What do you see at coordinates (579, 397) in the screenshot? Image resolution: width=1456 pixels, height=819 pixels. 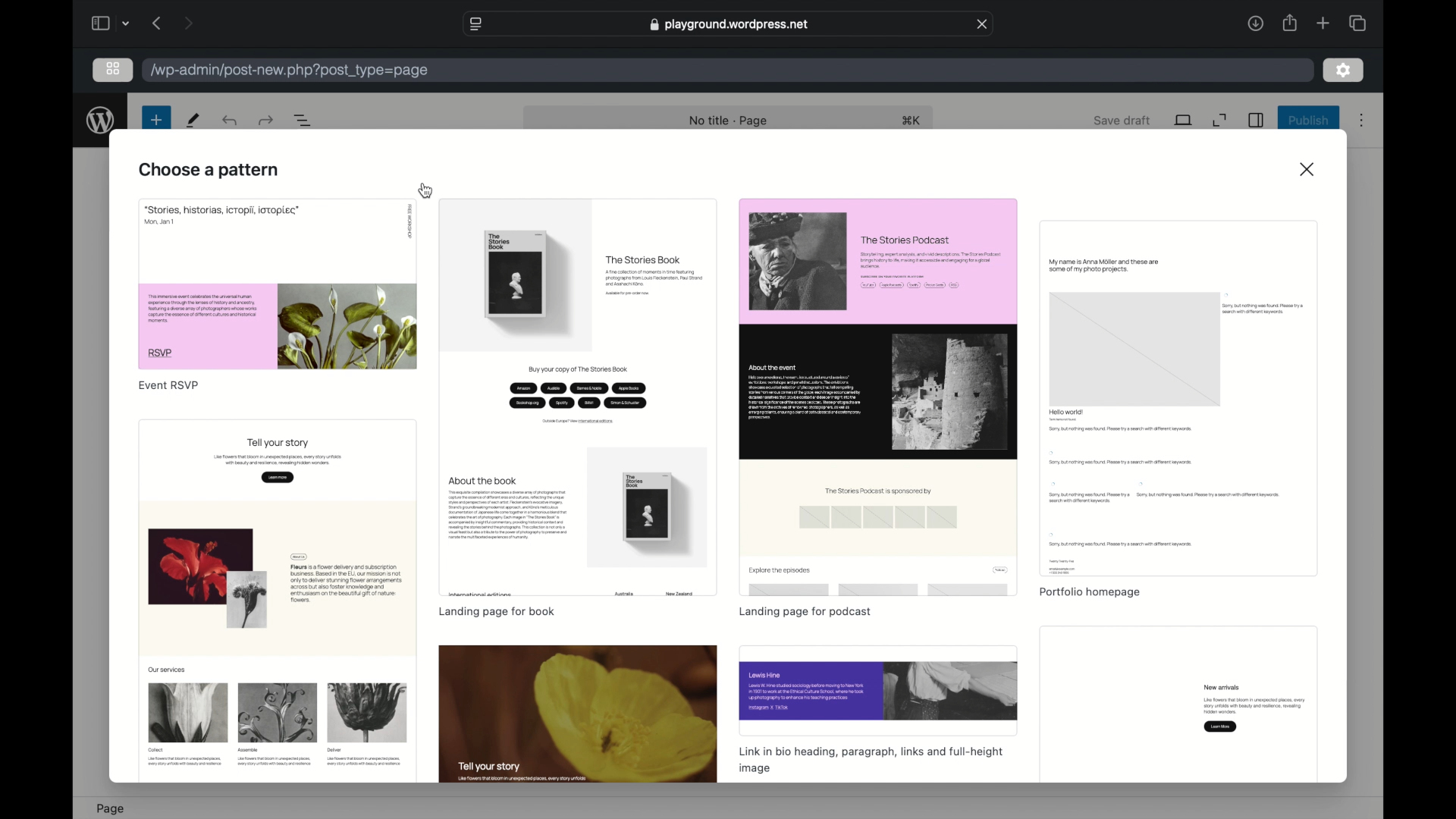 I see `preview` at bounding box center [579, 397].